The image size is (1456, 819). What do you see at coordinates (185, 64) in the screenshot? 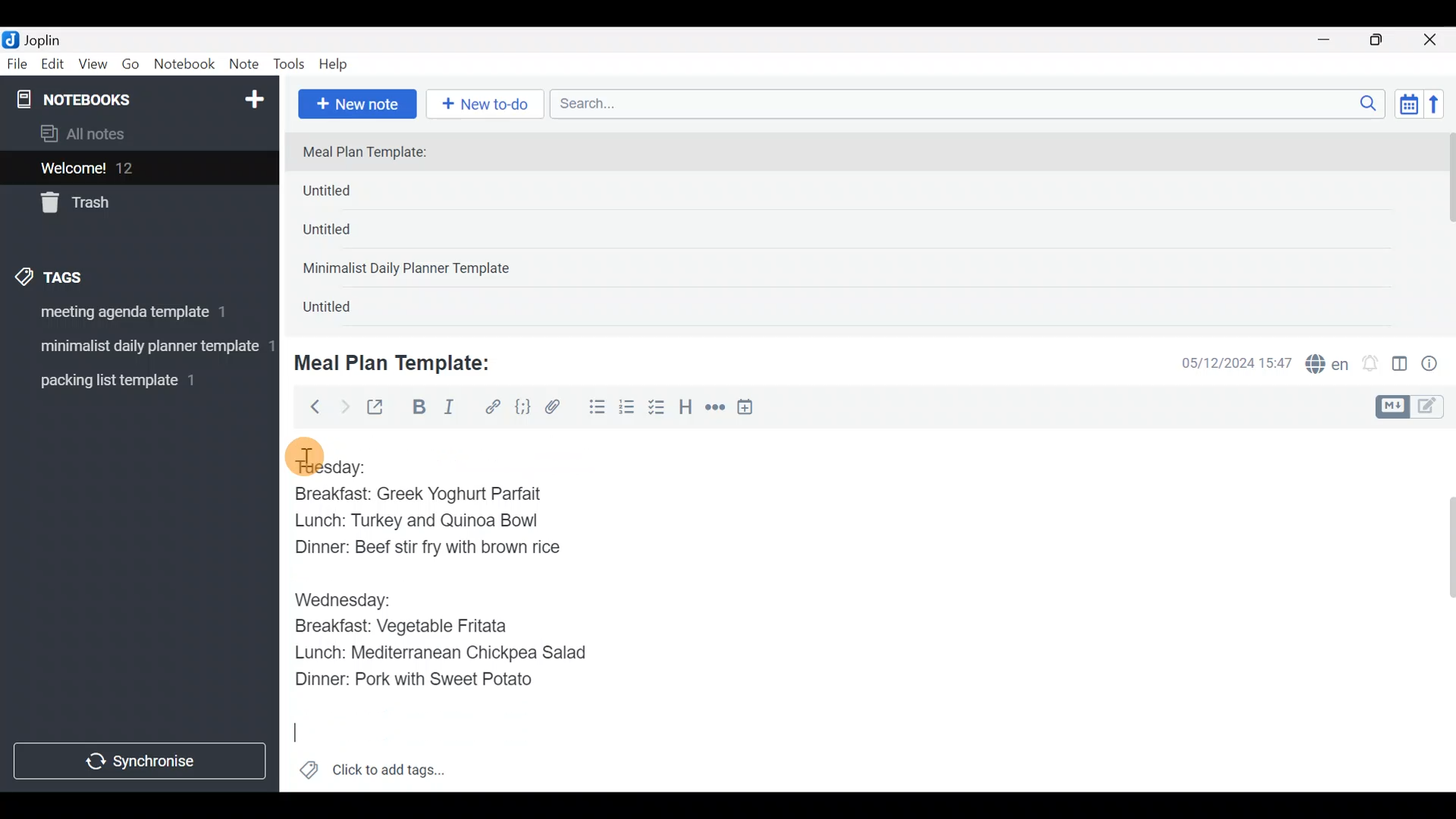
I see `Notebook` at bounding box center [185, 64].